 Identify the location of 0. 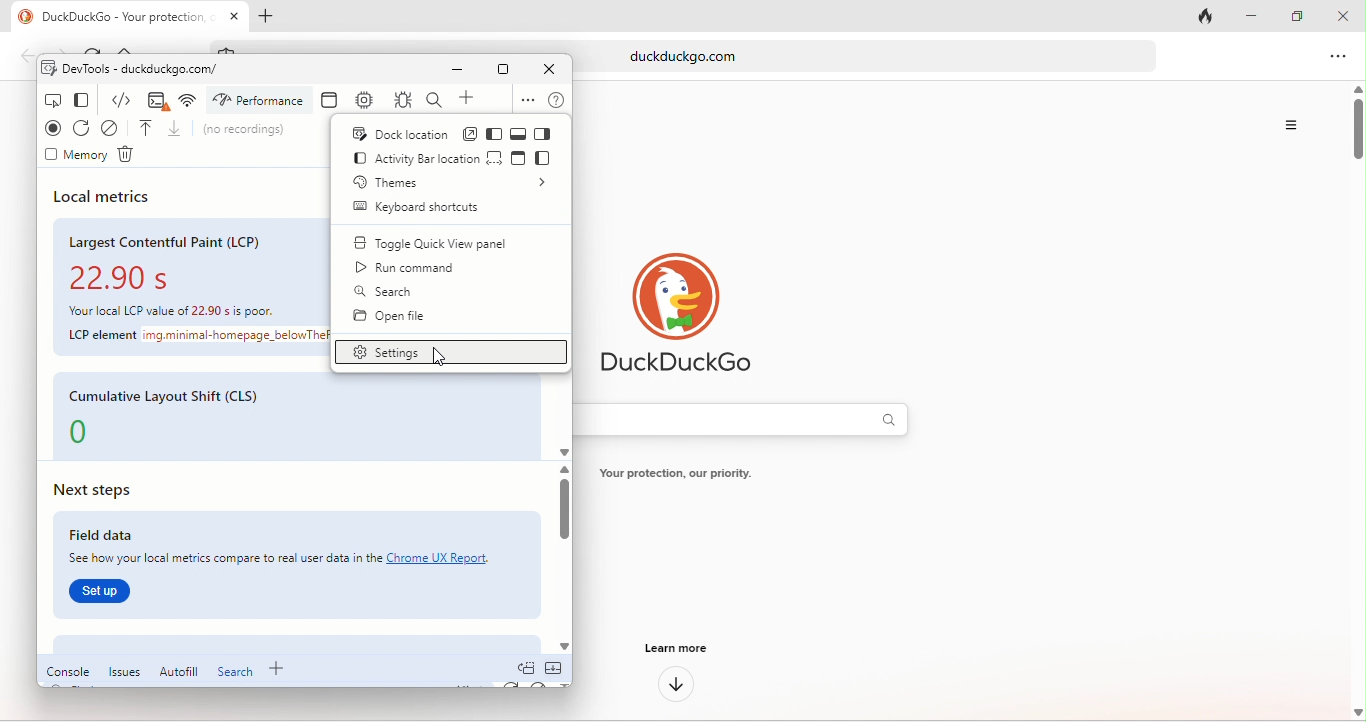
(92, 434).